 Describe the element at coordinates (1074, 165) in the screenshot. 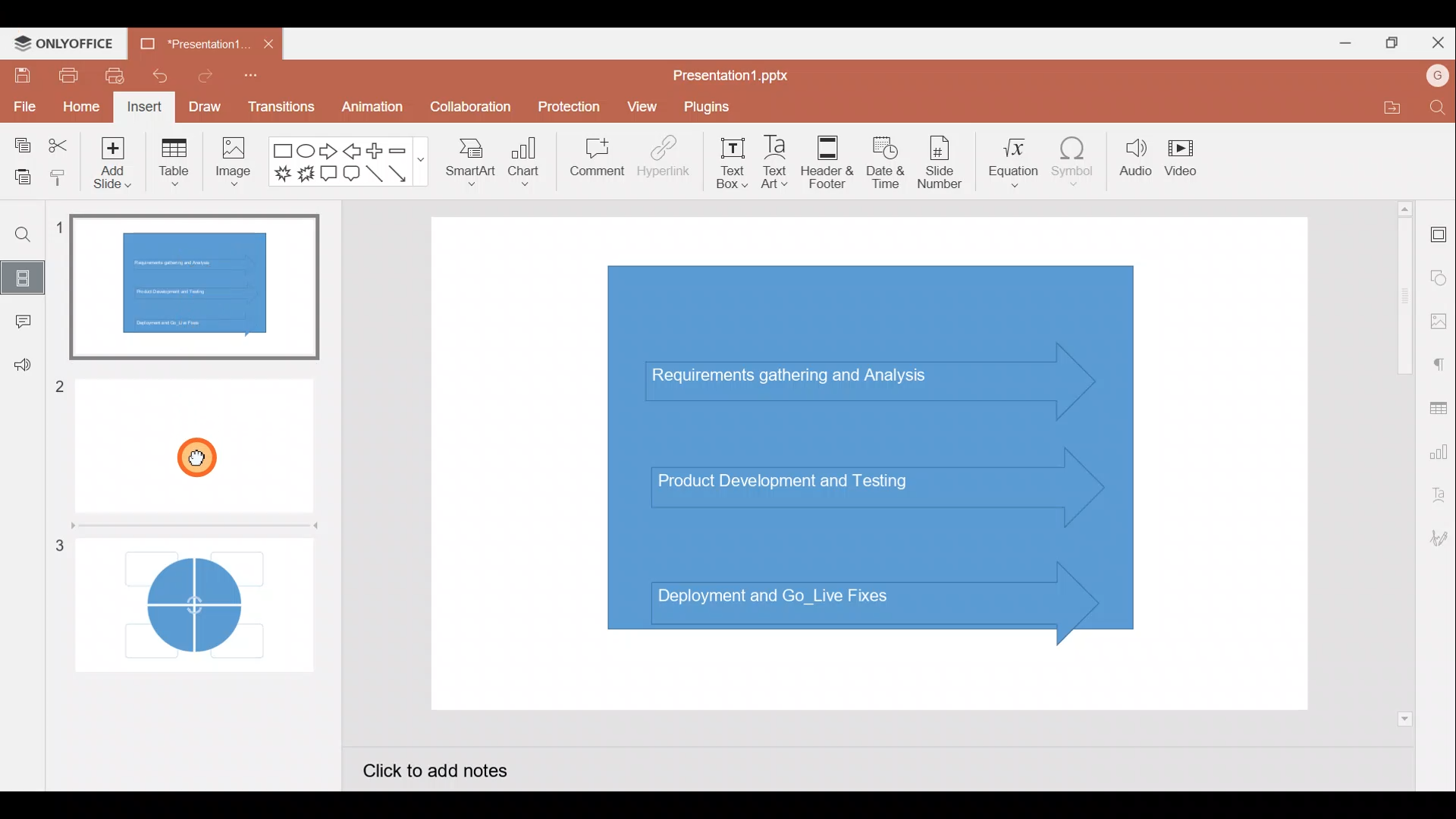

I see `Symbol` at that location.